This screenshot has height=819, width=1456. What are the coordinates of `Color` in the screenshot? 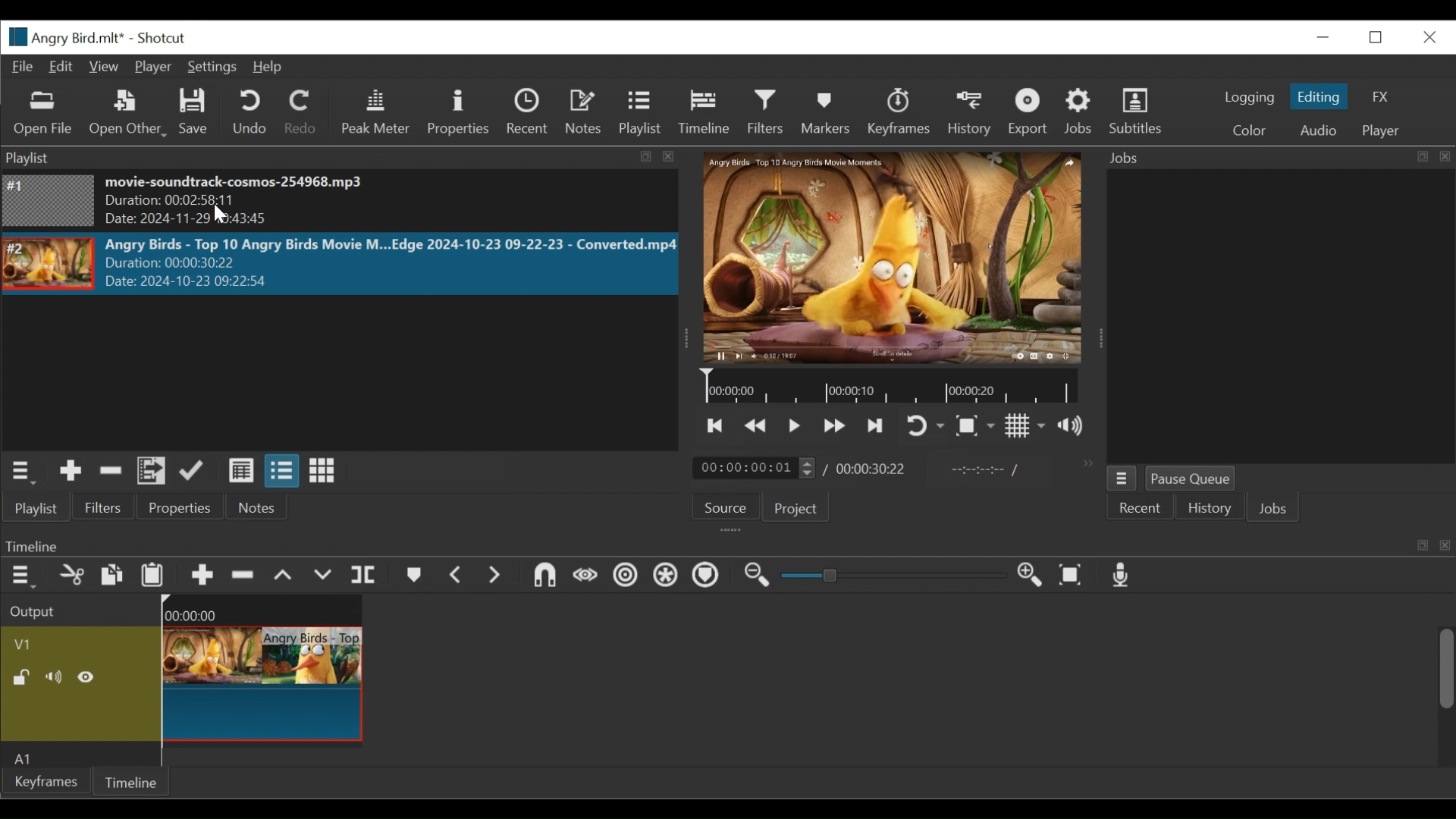 It's located at (1250, 131).